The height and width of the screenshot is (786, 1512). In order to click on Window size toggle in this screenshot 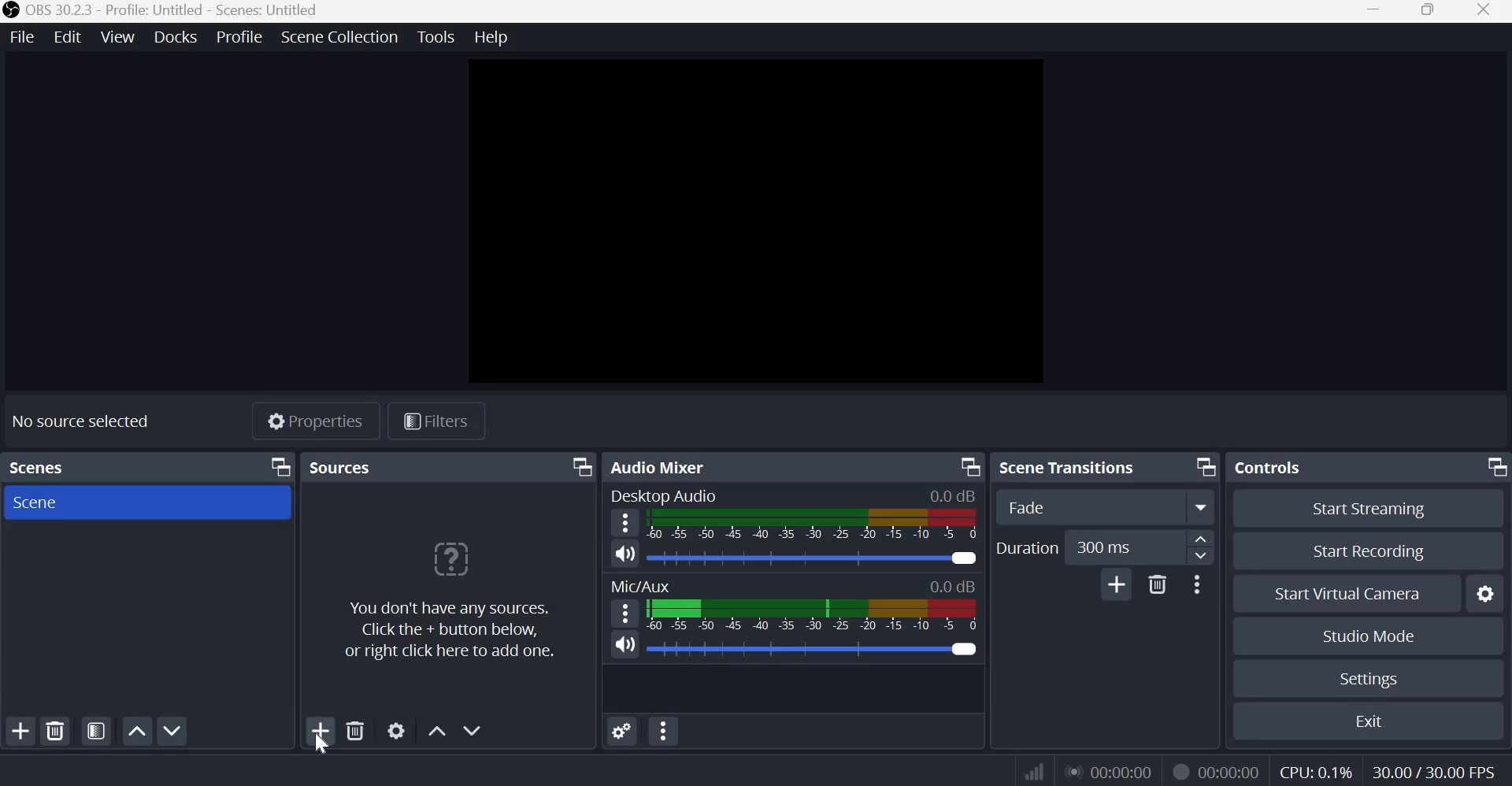, I will do `click(1429, 11)`.